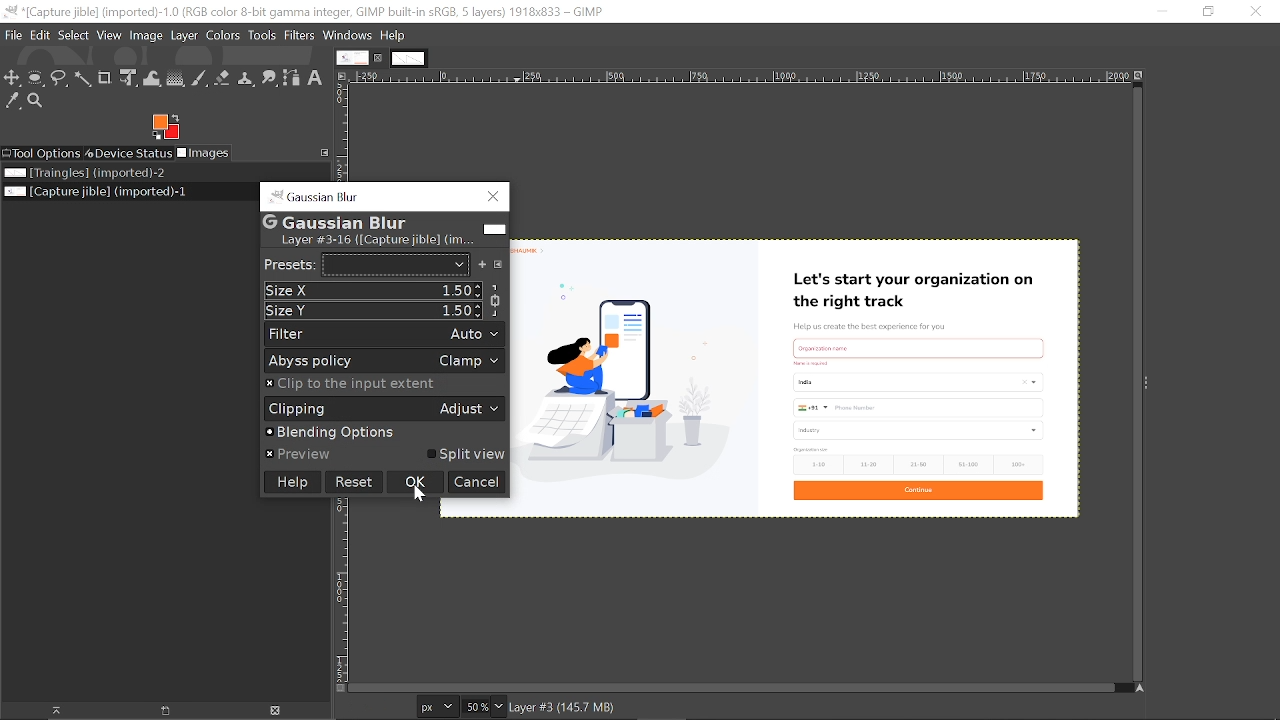  What do you see at coordinates (798, 377) in the screenshot?
I see `Current image` at bounding box center [798, 377].